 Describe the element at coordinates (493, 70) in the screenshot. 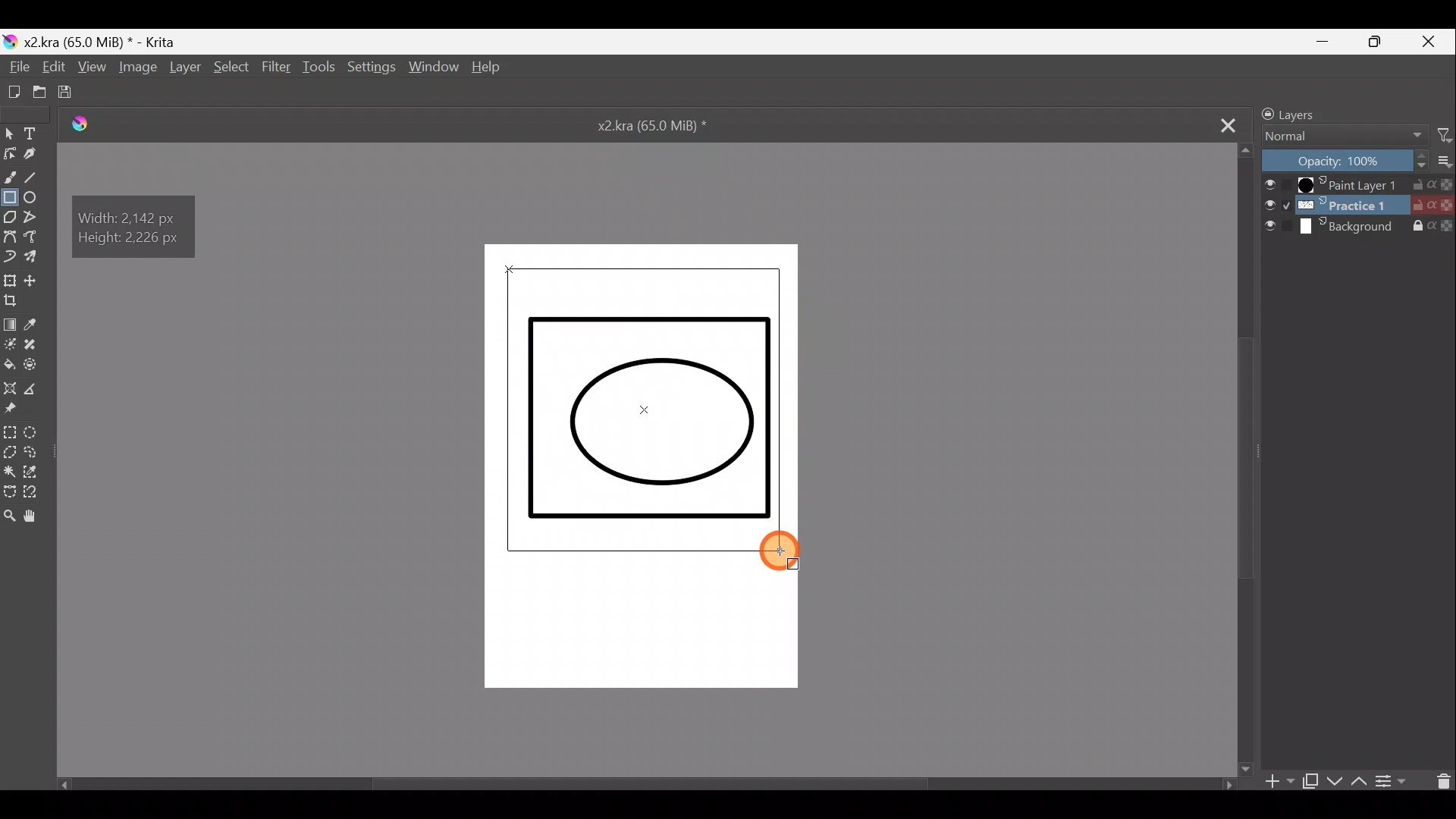

I see `Help` at that location.